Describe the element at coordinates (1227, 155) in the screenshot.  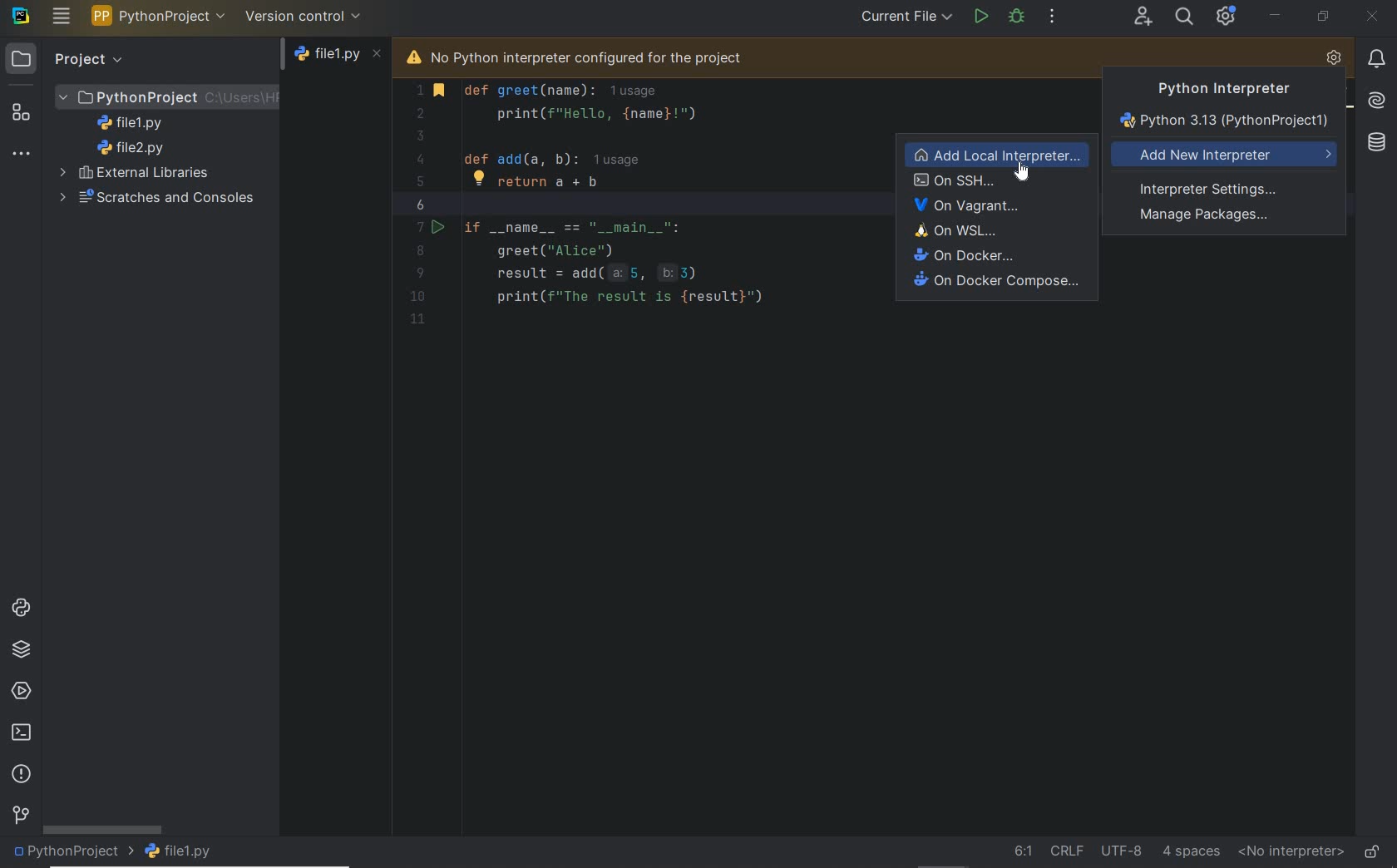
I see `Add New Interpreter` at that location.